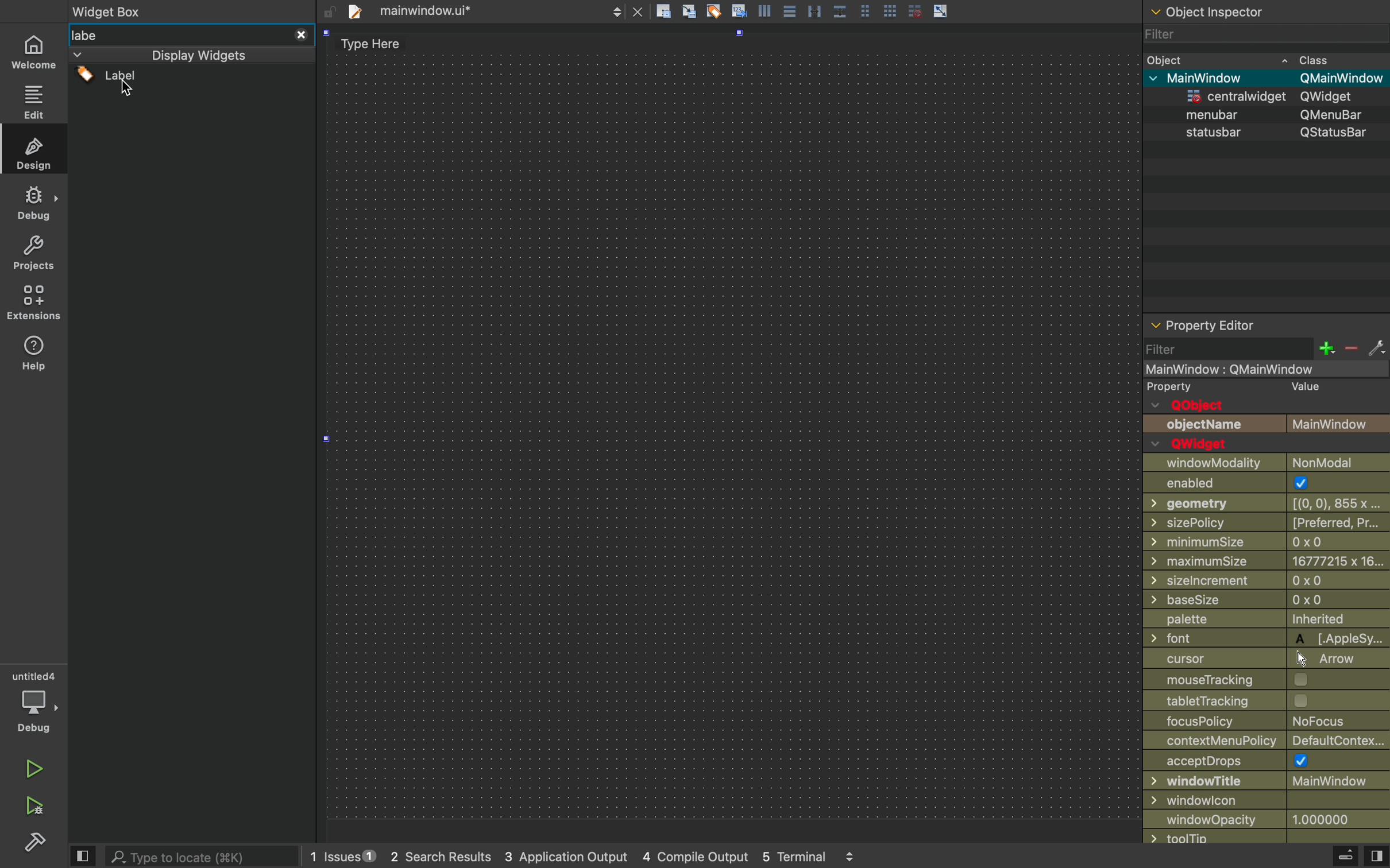 Image resolution: width=1390 pixels, height=868 pixels. What do you see at coordinates (891, 9) in the screenshot?
I see `grid` at bounding box center [891, 9].